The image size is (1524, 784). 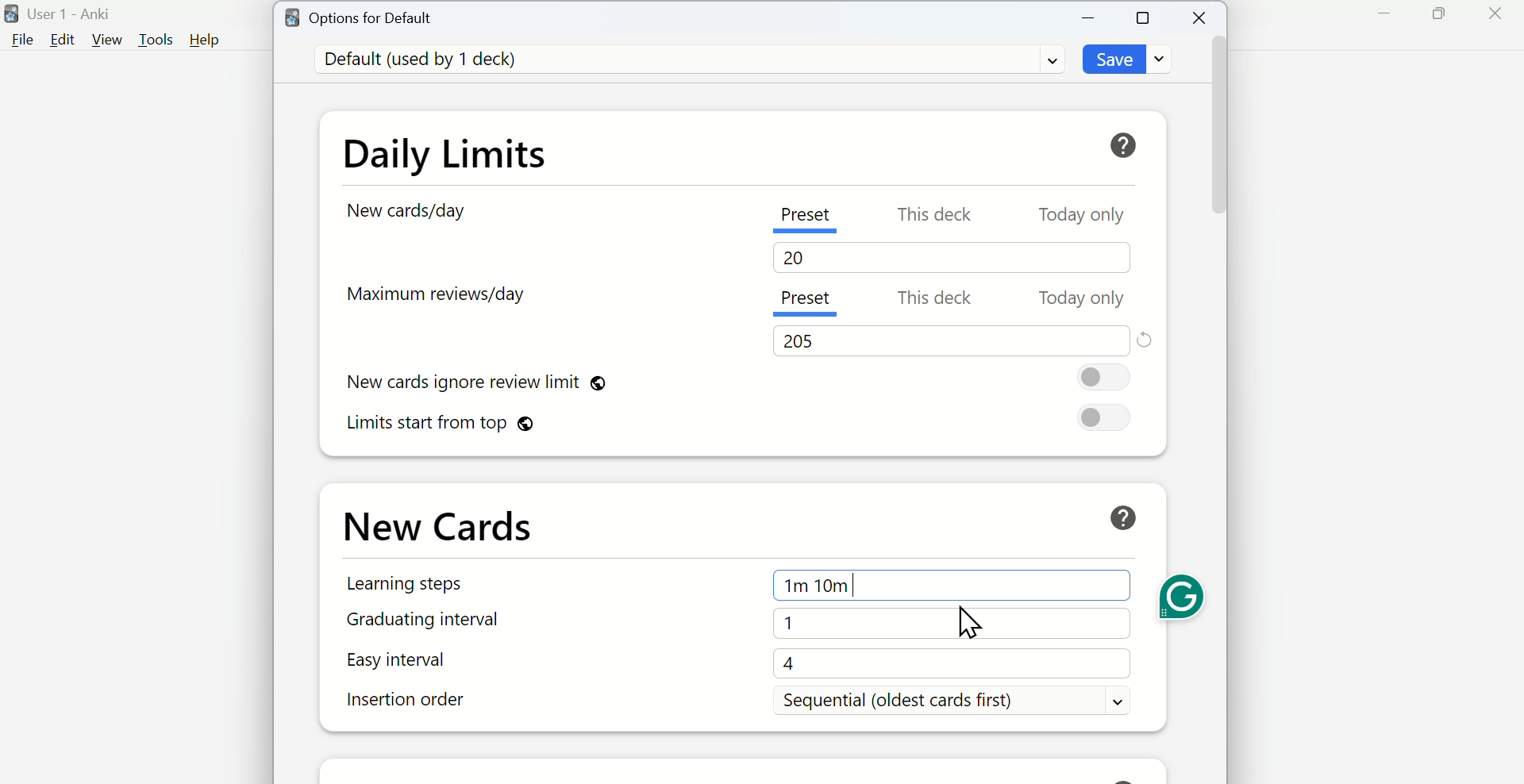 What do you see at coordinates (1122, 514) in the screenshot?
I see `Help` at bounding box center [1122, 514].